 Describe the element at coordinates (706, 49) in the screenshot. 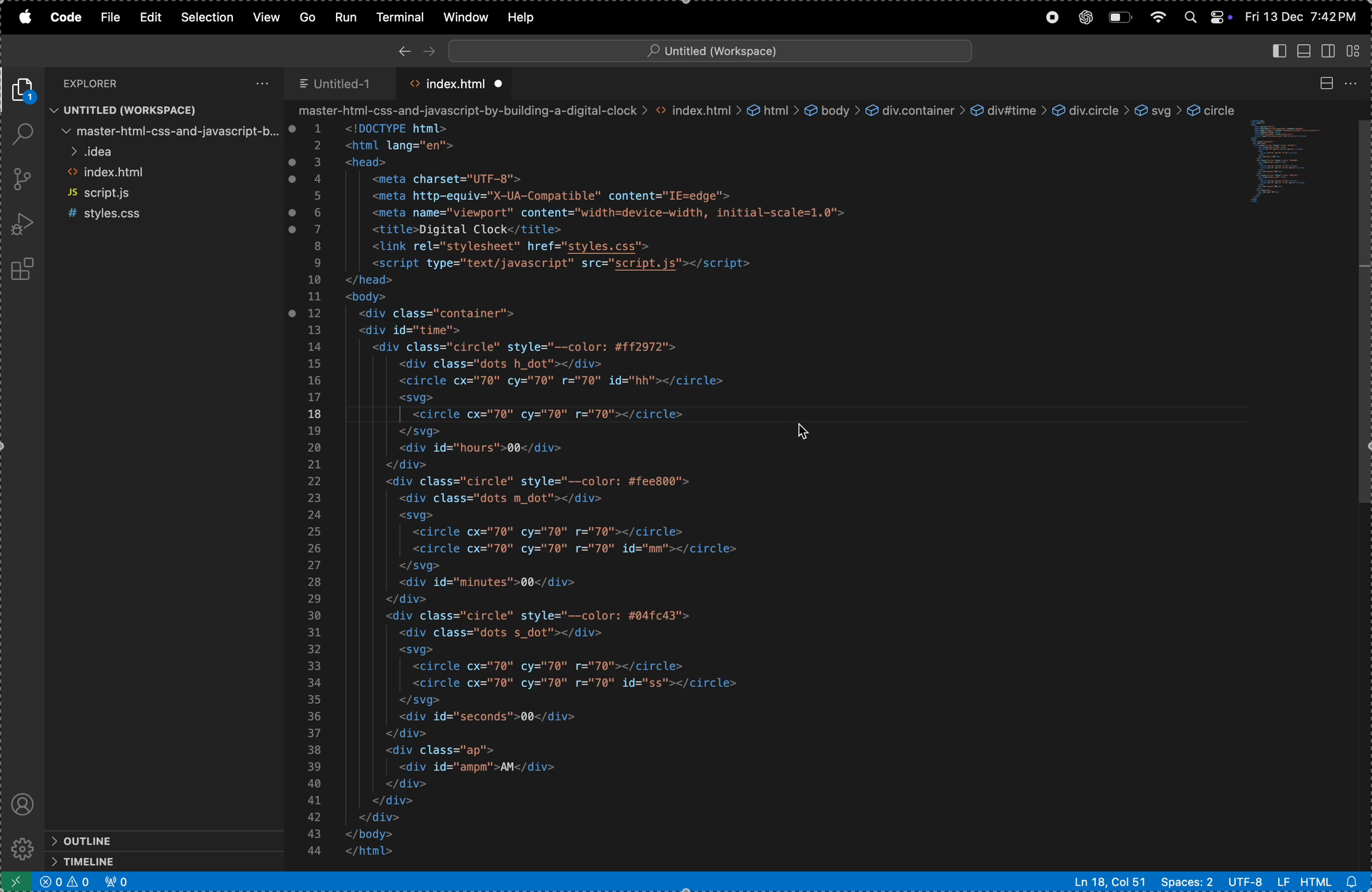

I see `untitled work scape` at that location.